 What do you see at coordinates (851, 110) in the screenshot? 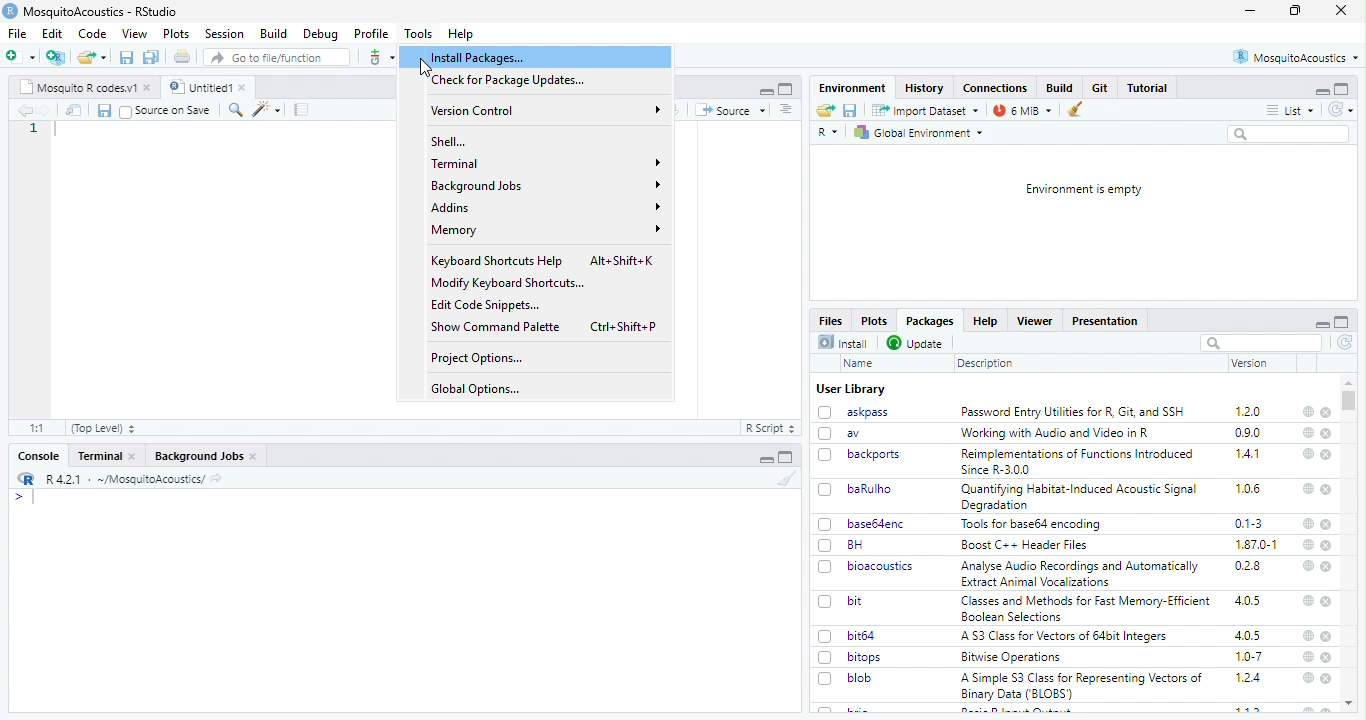
I see `save` at bounding box center [851, 110].